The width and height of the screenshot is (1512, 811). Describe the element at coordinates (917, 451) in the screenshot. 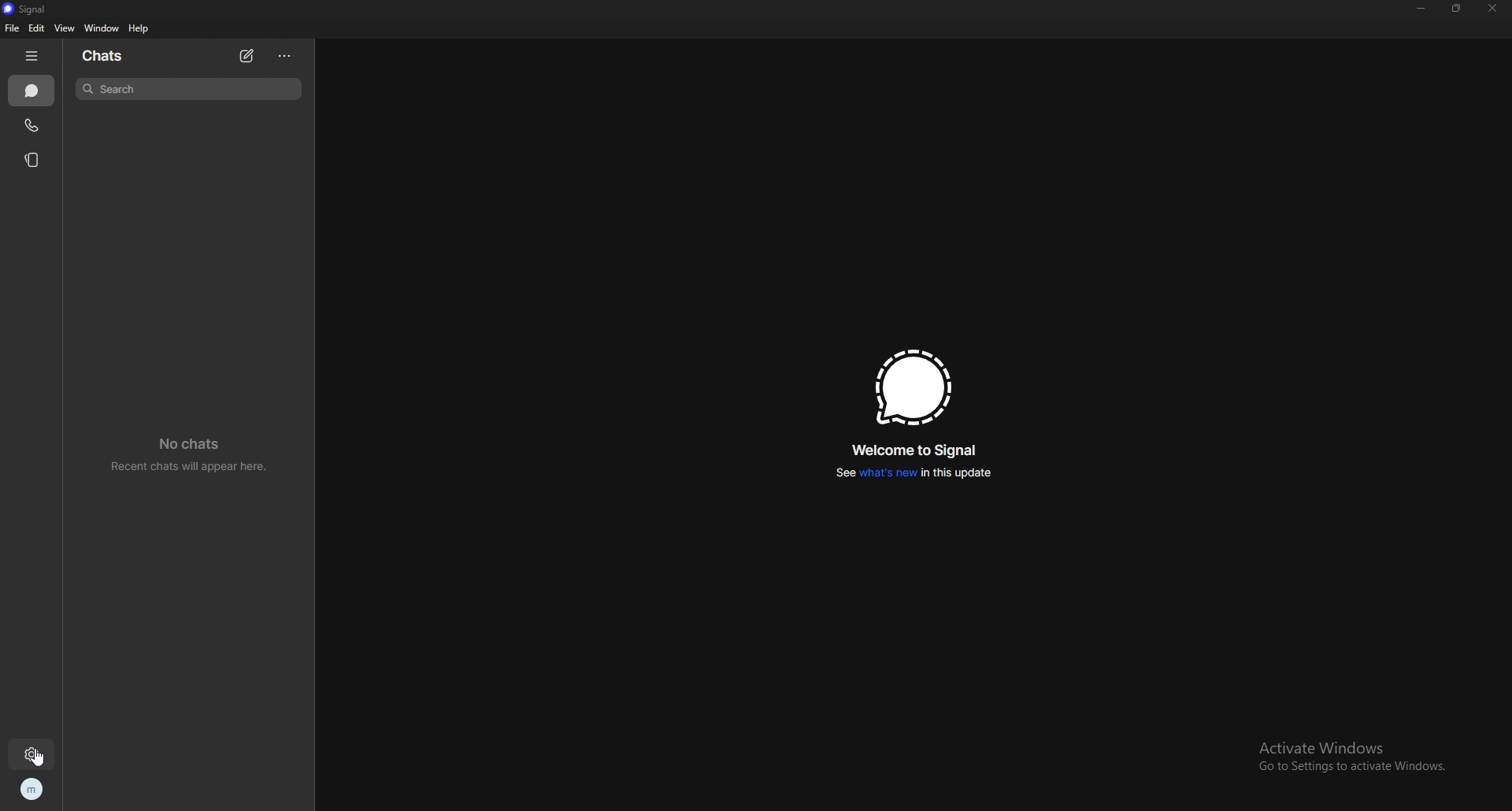

I see `welcome to signal` at that location.